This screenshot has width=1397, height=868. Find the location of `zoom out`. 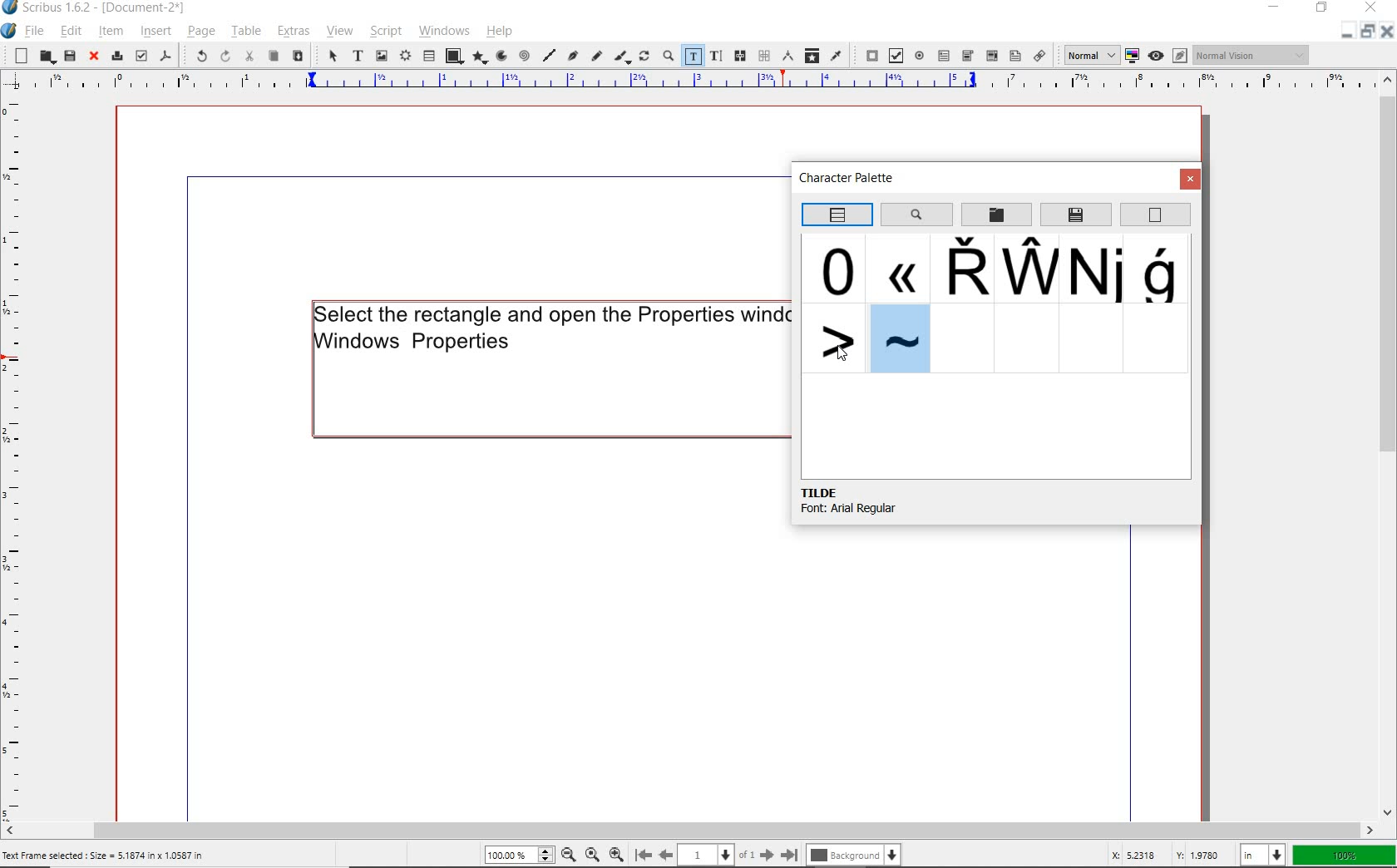

zoom out is located at coordinates (568, 854).